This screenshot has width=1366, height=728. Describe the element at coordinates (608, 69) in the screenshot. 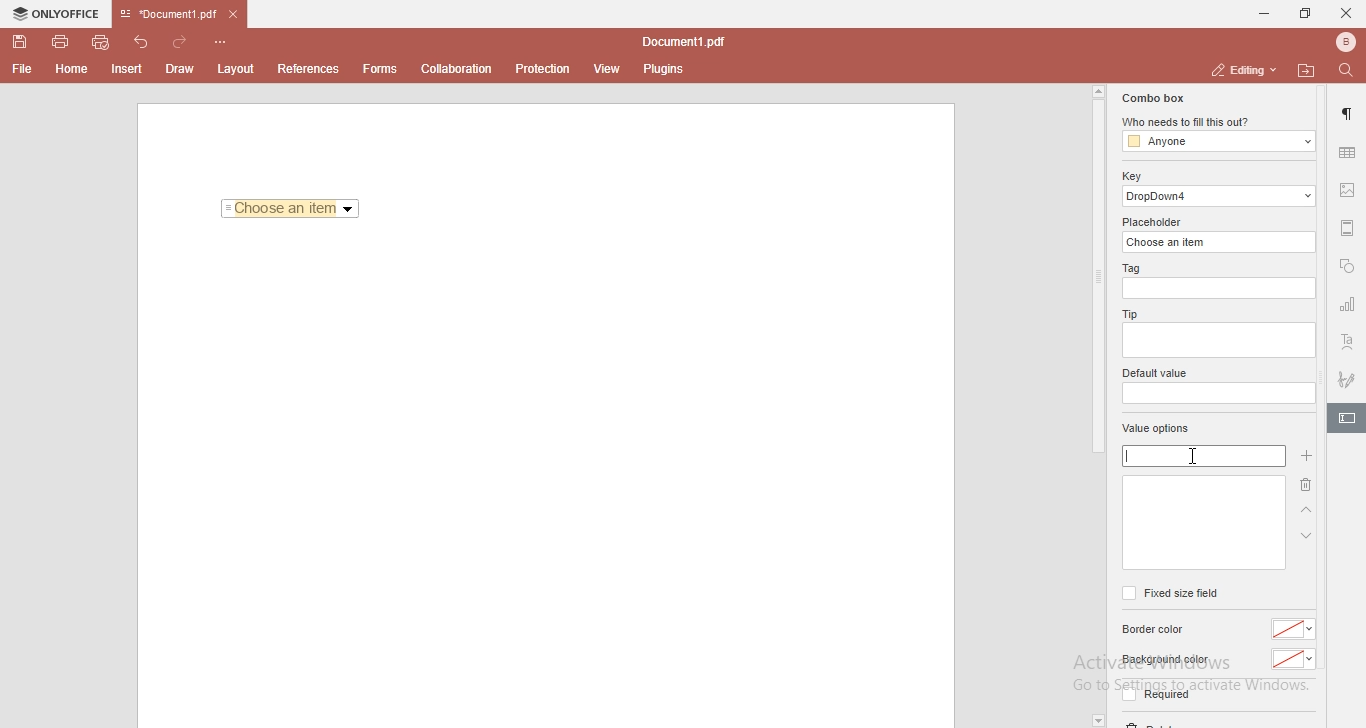

I see `view` at that location.